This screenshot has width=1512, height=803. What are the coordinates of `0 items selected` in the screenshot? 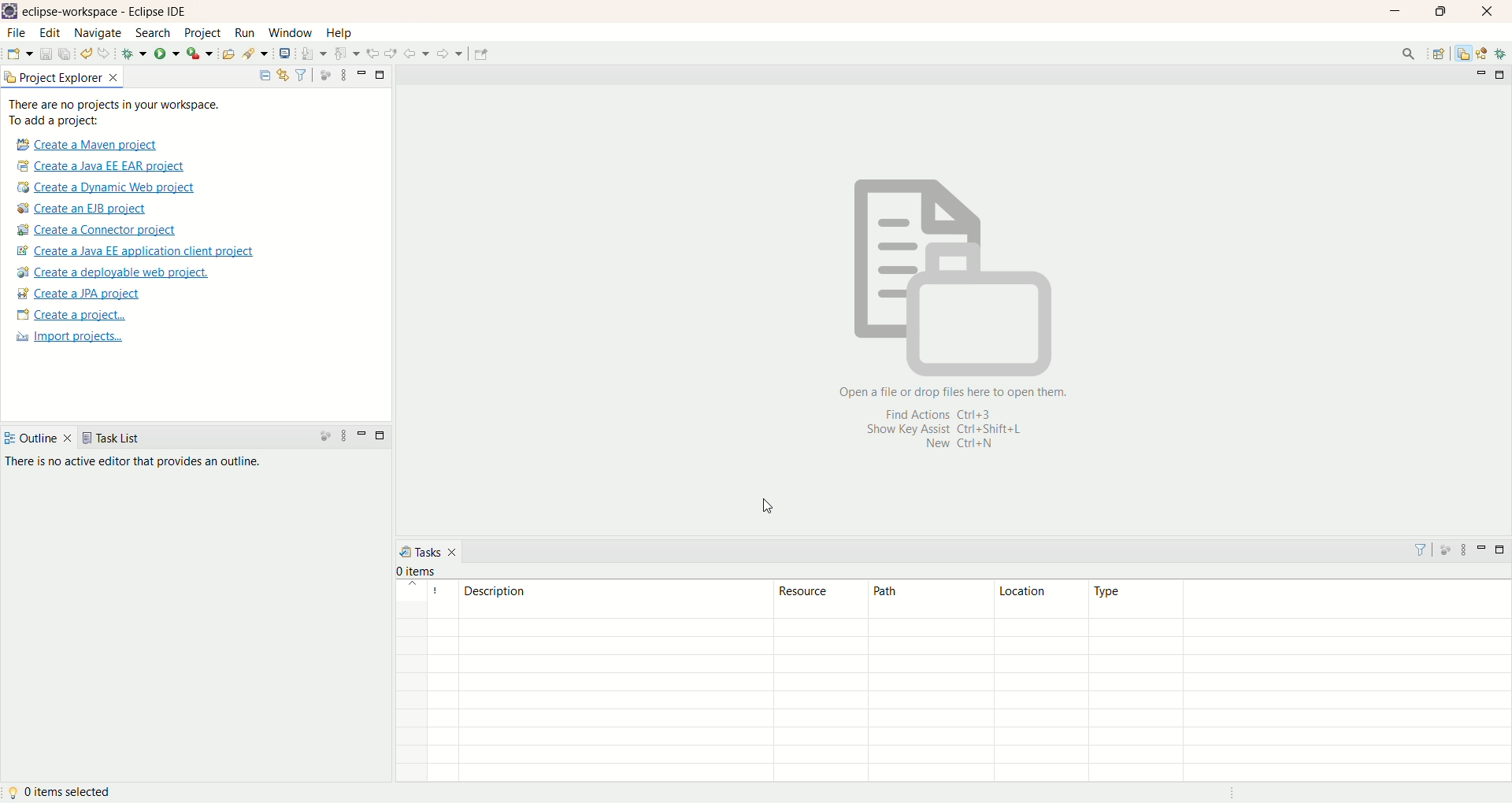 It's located at (62, 795).